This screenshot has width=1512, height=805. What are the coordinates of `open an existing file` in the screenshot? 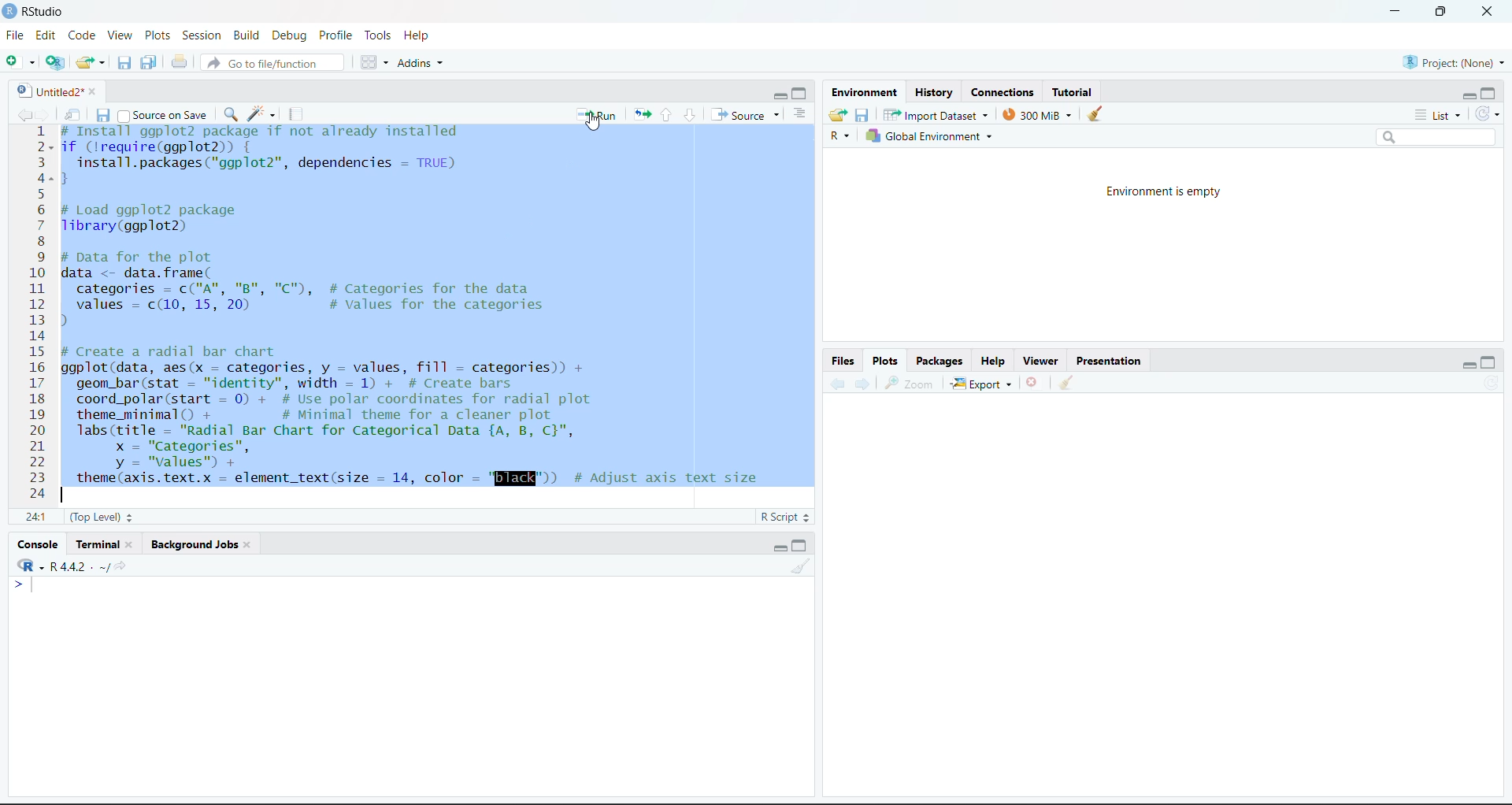 It's located at (89, 61).